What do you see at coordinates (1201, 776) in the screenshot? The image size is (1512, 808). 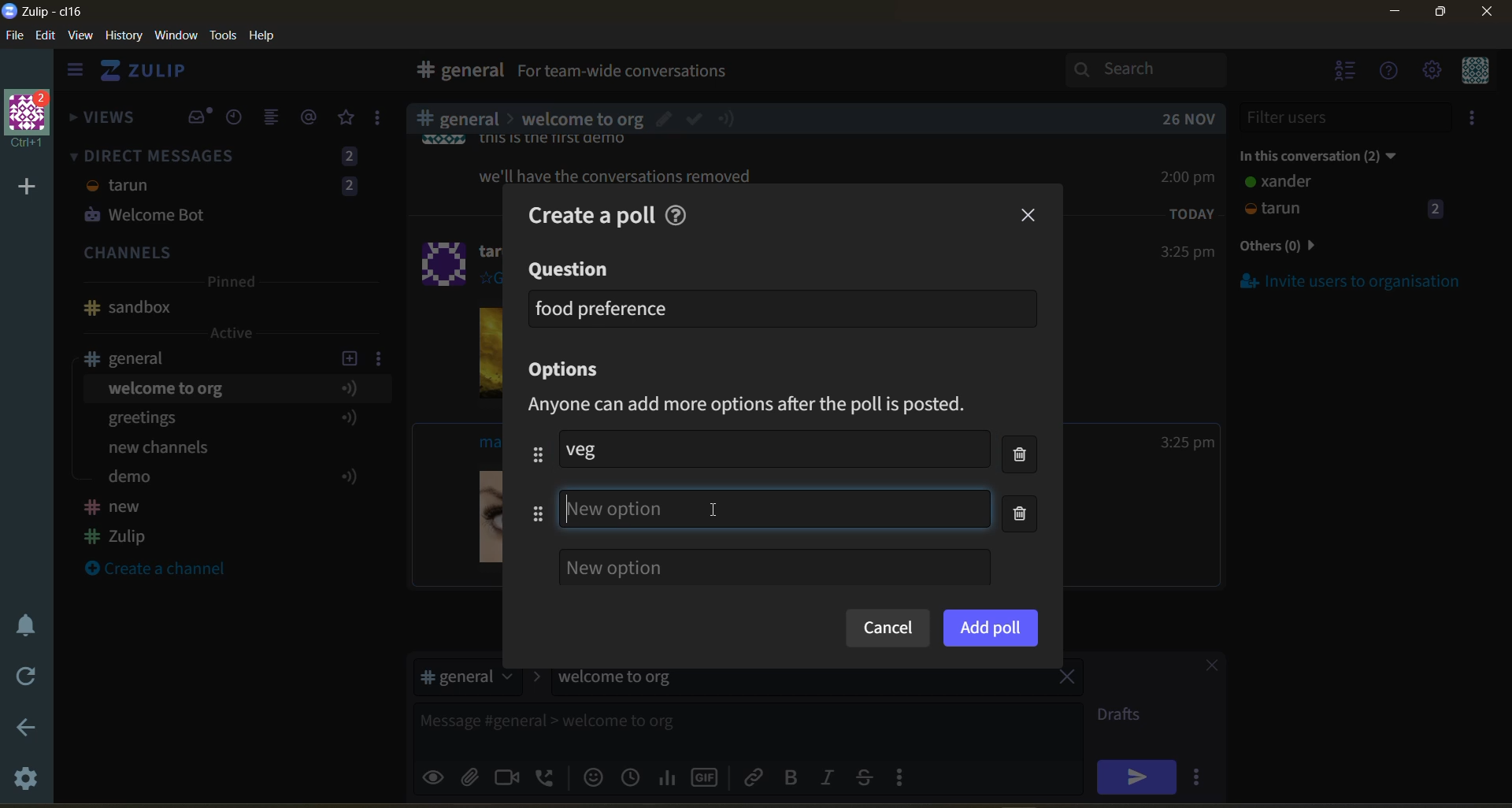 I see `send options` at bounding box center [1201, 776].